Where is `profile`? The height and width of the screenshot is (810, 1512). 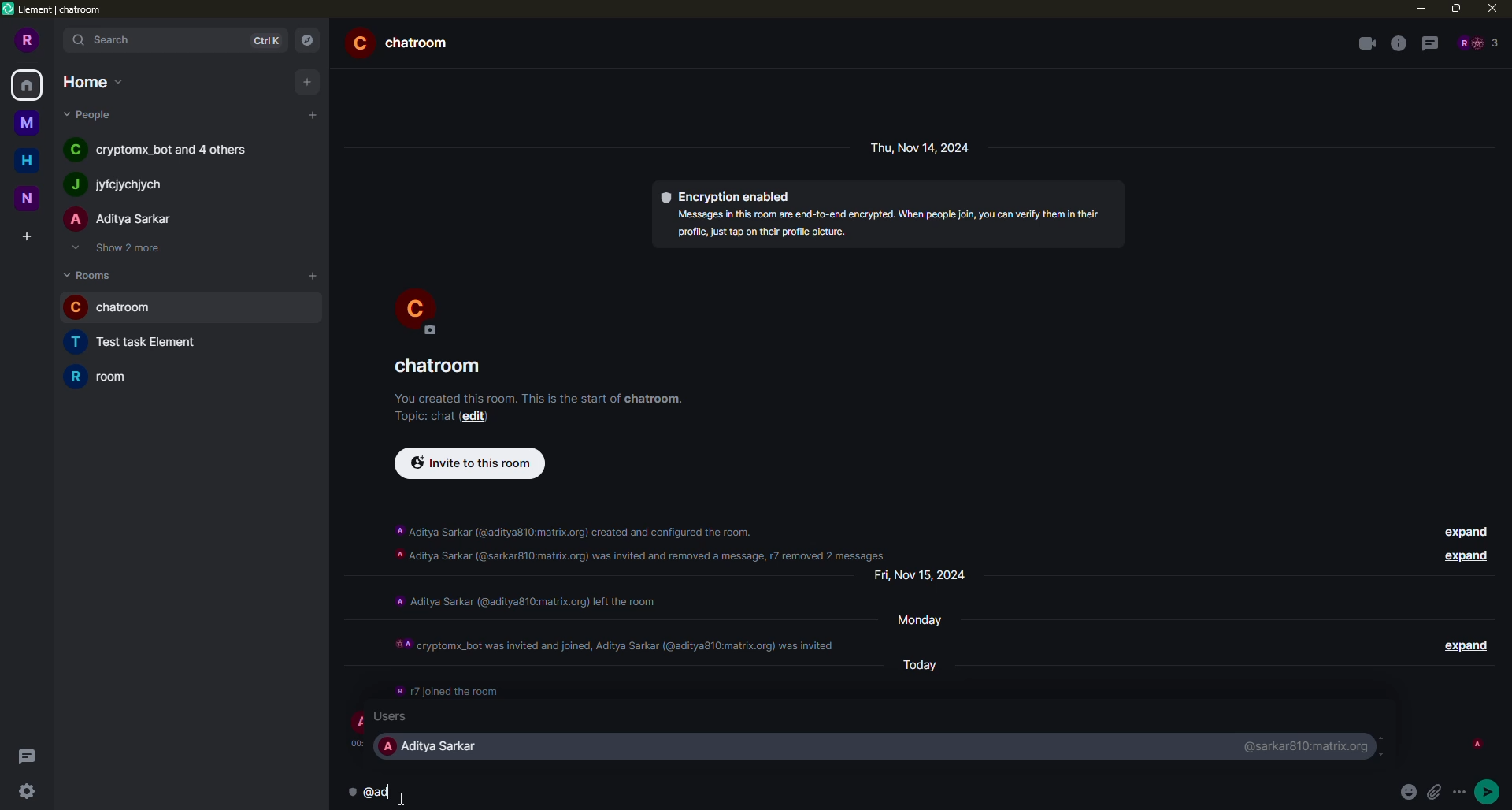
profile is located at coordinates (417, 309).